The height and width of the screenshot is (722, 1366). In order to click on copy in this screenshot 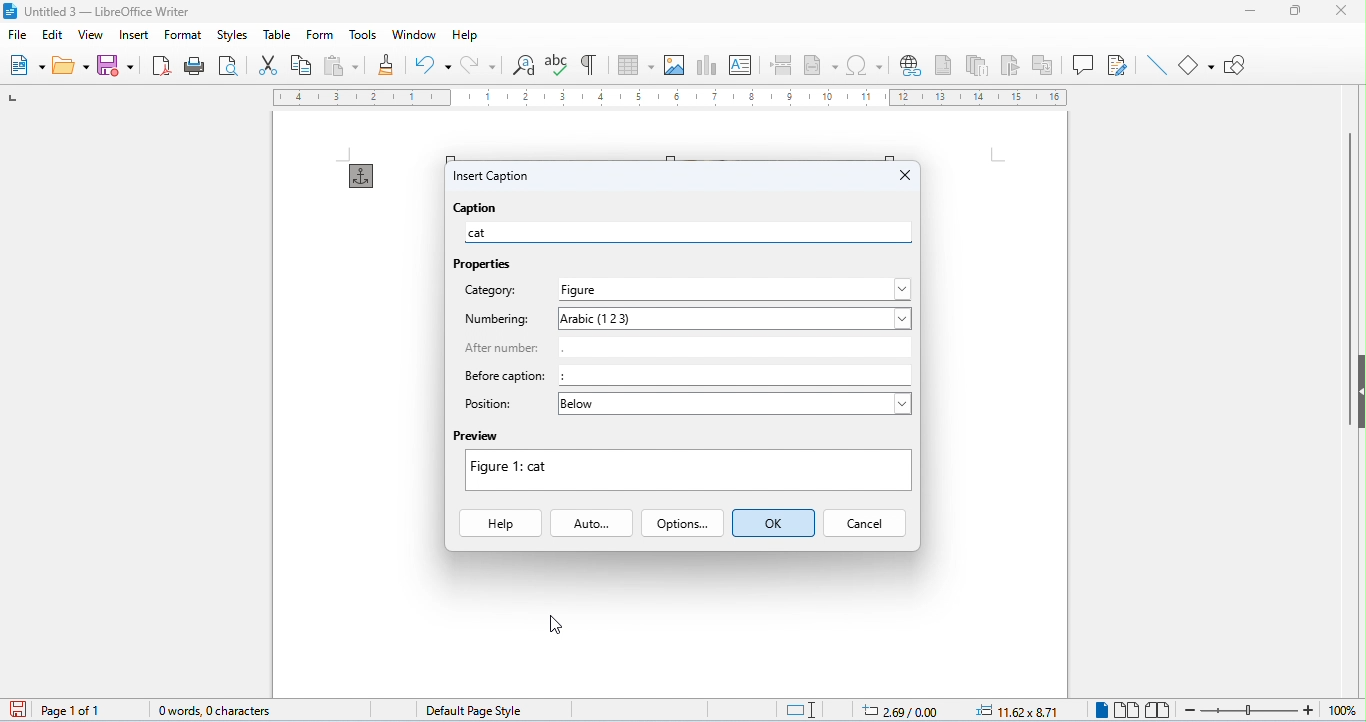, I will do `click(302, 66)`.